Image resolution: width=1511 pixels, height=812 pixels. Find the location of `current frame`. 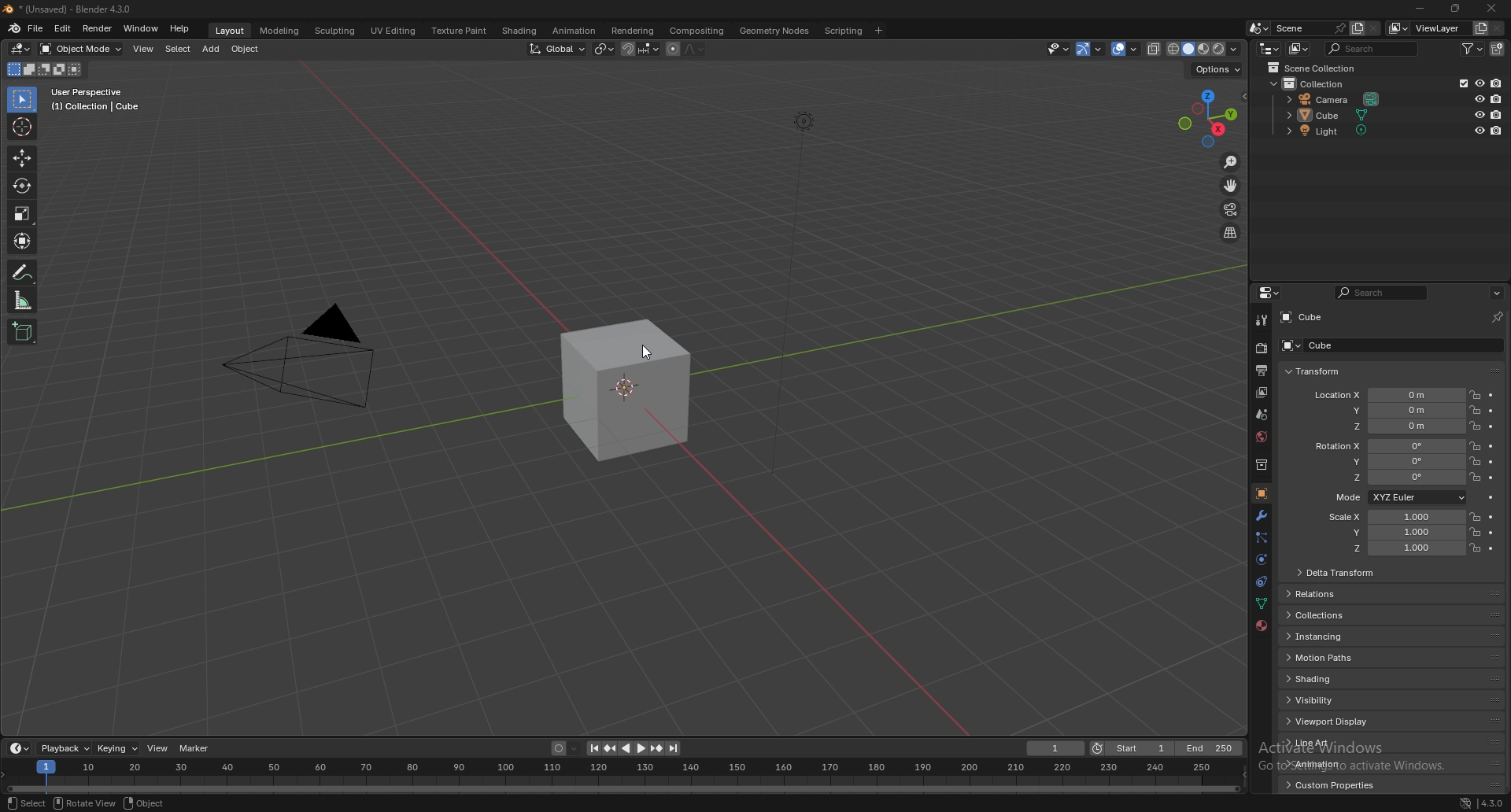

current frame is located at coordinates (1056, 748).